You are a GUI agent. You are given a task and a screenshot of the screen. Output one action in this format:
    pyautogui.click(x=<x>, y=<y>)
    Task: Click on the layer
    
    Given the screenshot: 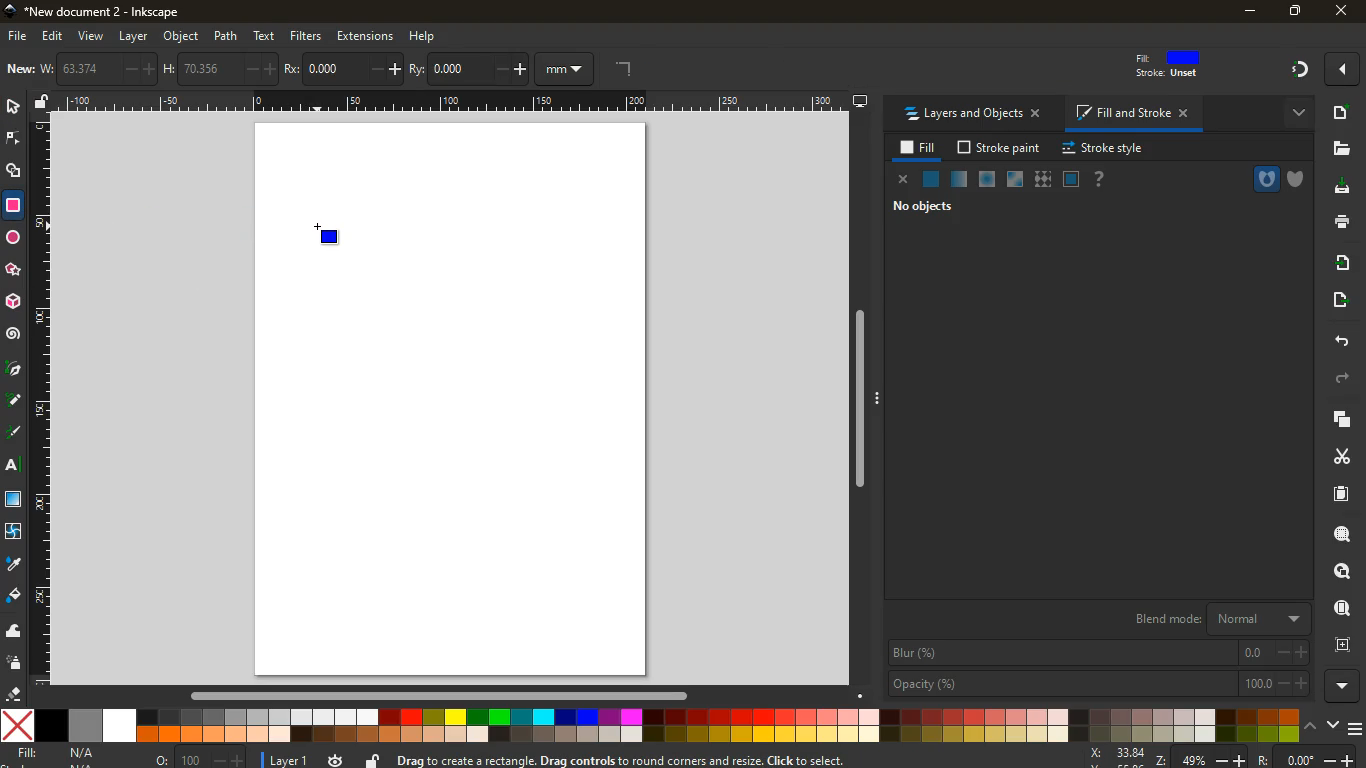 What is the action you would take?
    pyautogui.click(x=133, y=37)
    